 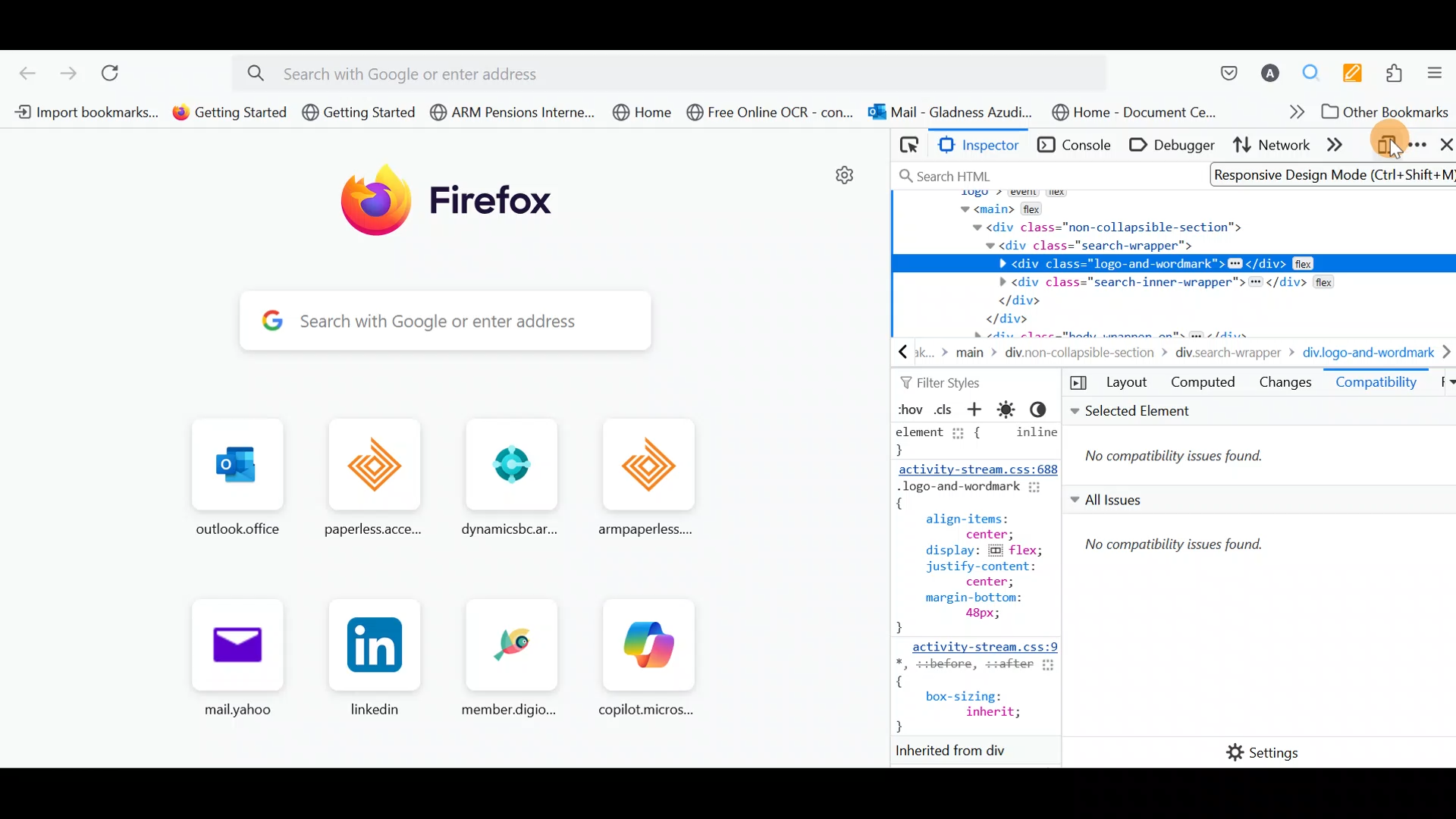 I want to click on Bookmark 2, so click(x=226, y=116).